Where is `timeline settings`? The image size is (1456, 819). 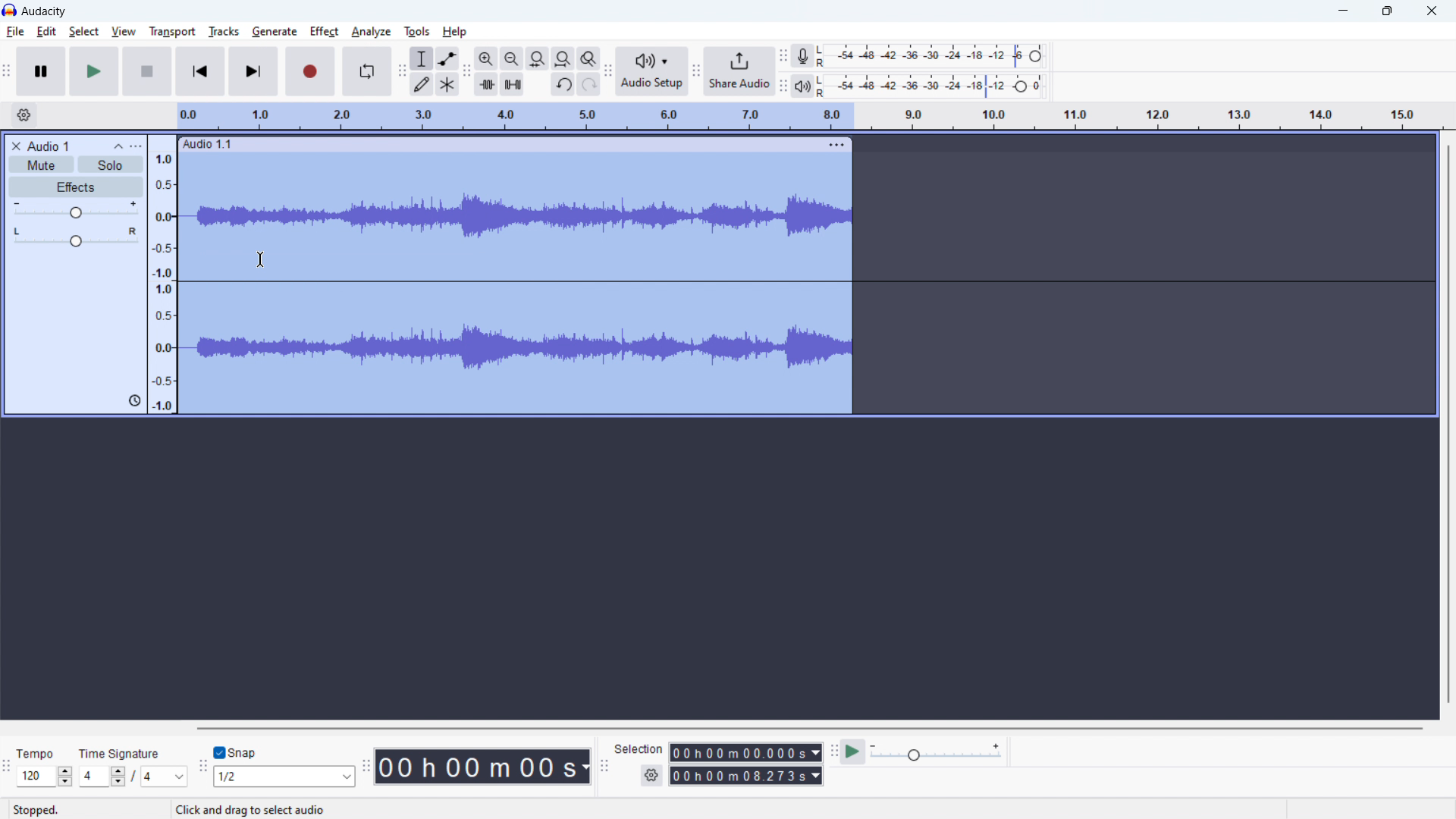 timeline settings is located at coordinates (23, 115).